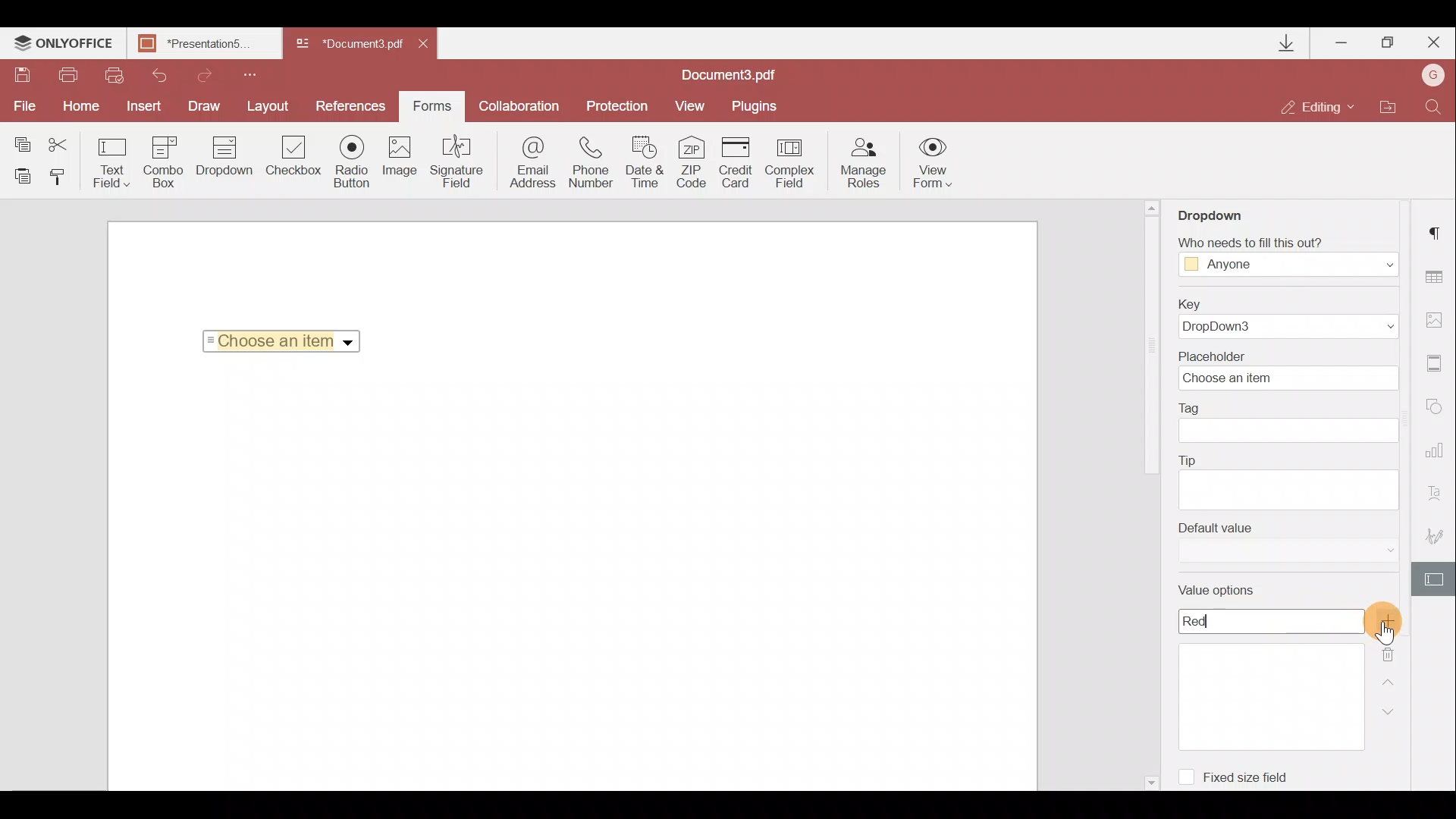 Image resolution: width=1456 pixels, height=819 pixels. What do you see at coordinates (256, 74) in the screenshot?
I see `Customize quick access toolbar` at bounding box center [256, 74].